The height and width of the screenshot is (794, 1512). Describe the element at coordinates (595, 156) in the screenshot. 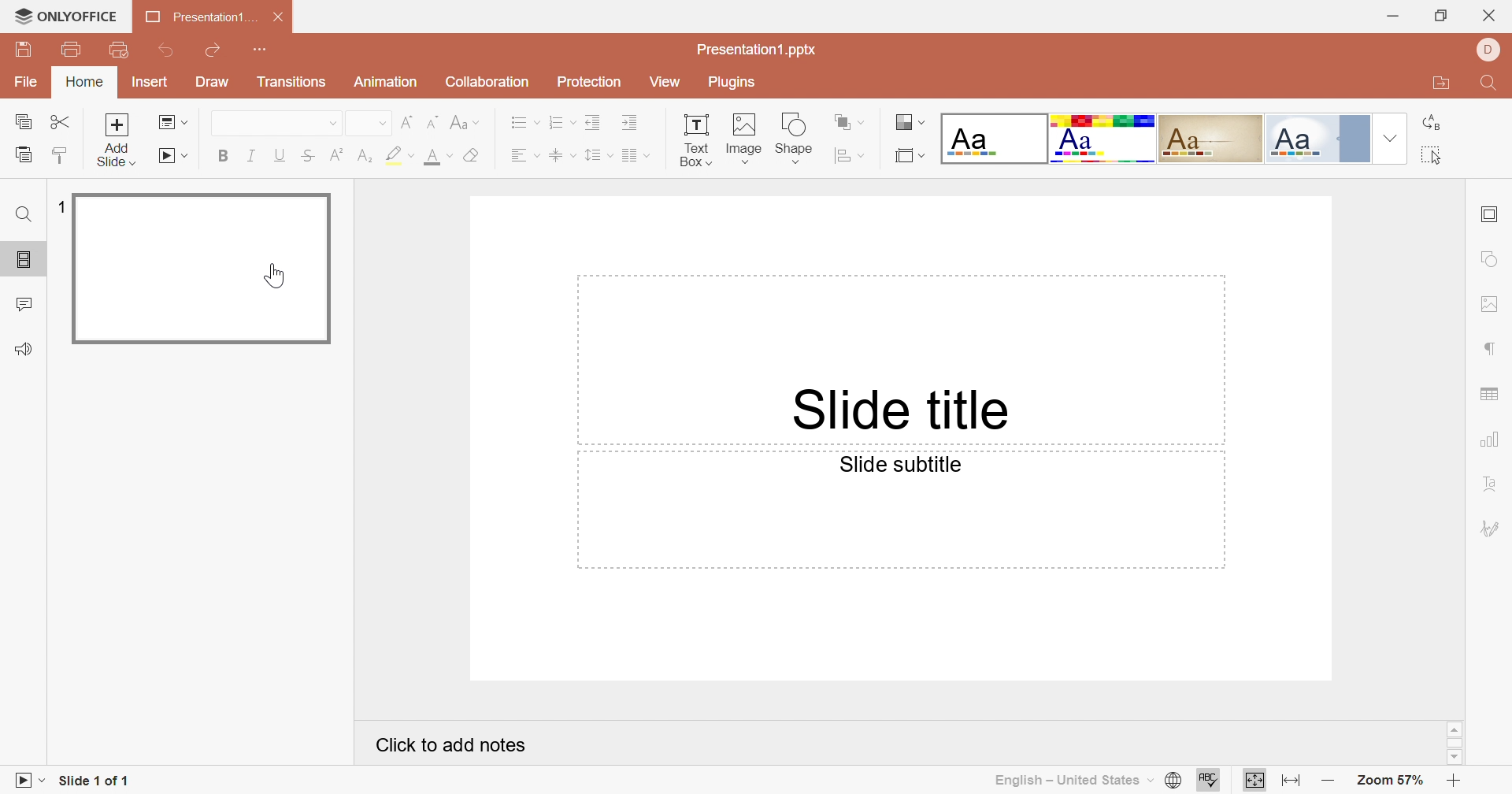

I see `Line spacing` at that location.